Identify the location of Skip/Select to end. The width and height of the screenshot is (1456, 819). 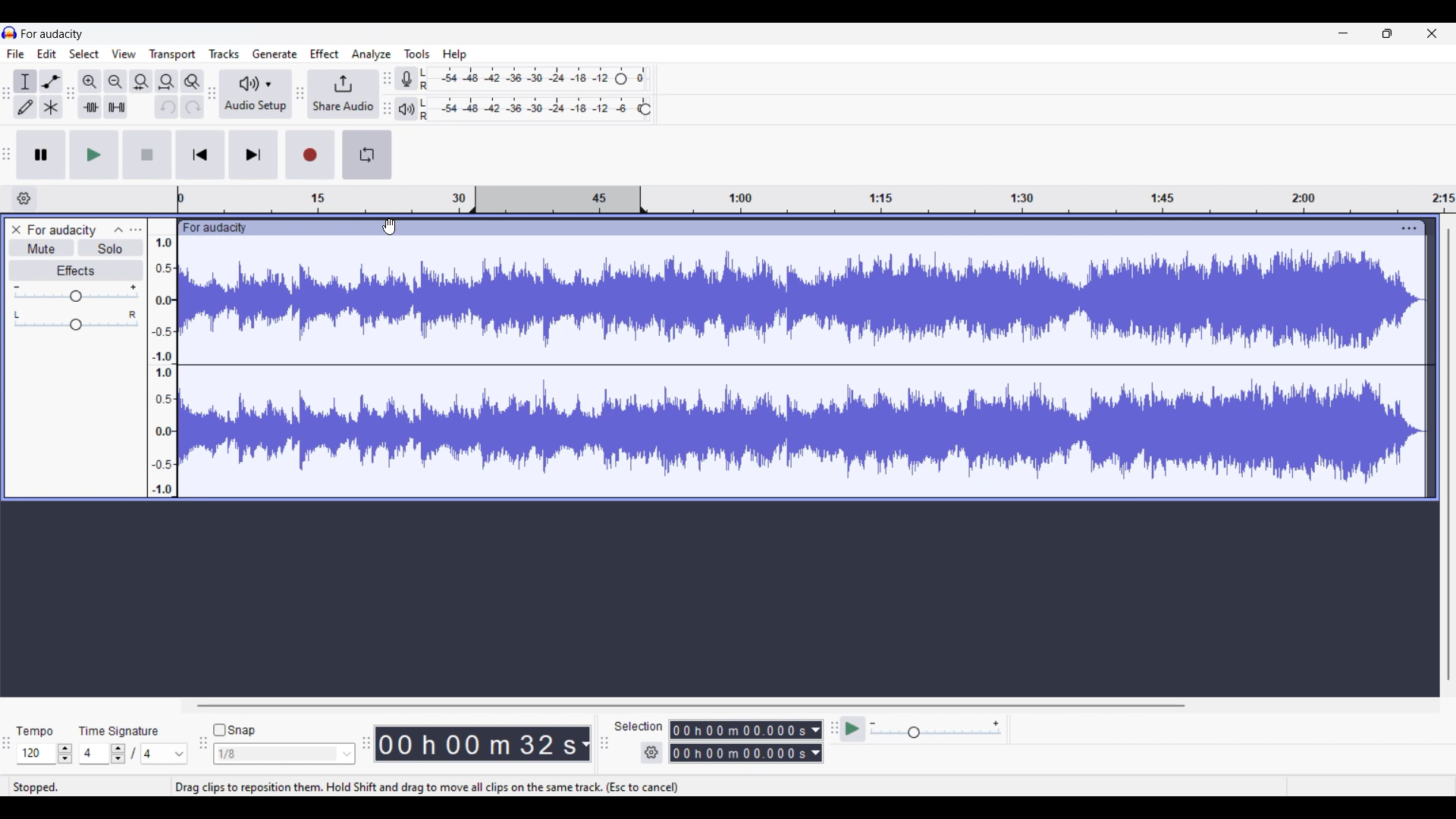
(254, 154).